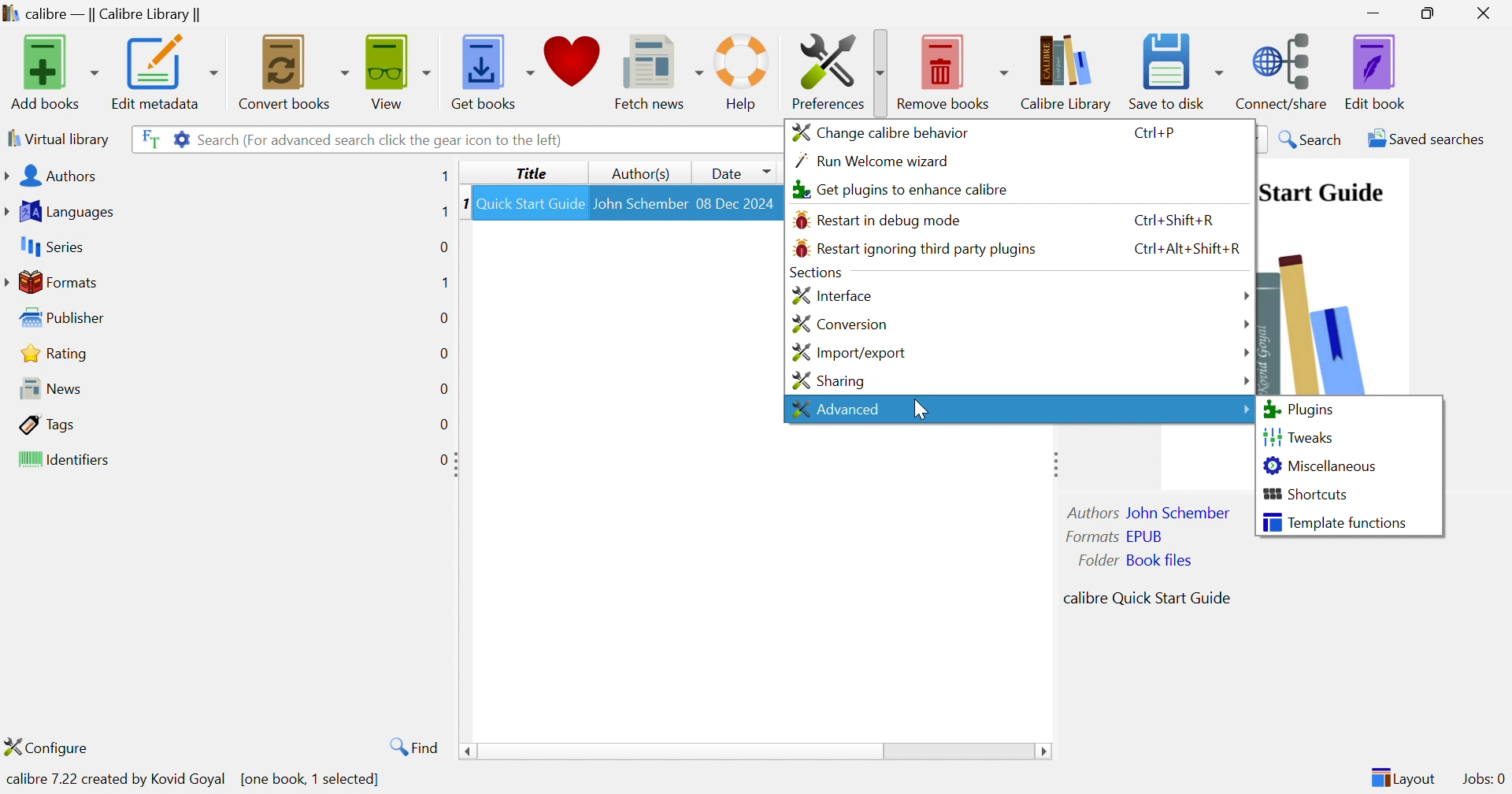 Image resolution: width=1512 pixels, height=794 pixels. Describe the element at coordinates (1373, 12) in the screenshot. I see `Minimize` at that location.